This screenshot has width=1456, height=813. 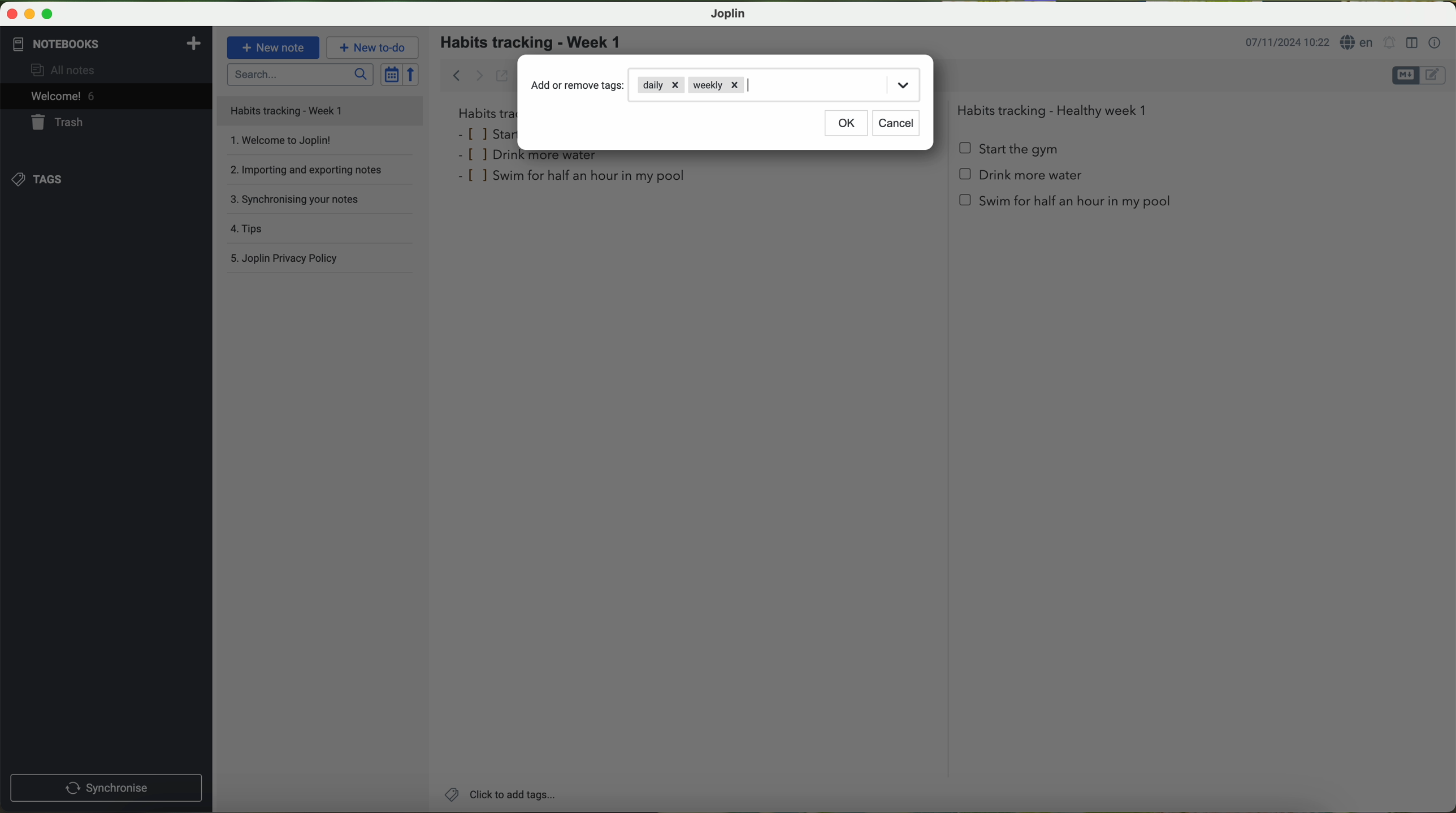 What do you see at coordinates (538, 43) in the screenshot?
I see `habits tracking - week 1` at bounding box center [538, 43].